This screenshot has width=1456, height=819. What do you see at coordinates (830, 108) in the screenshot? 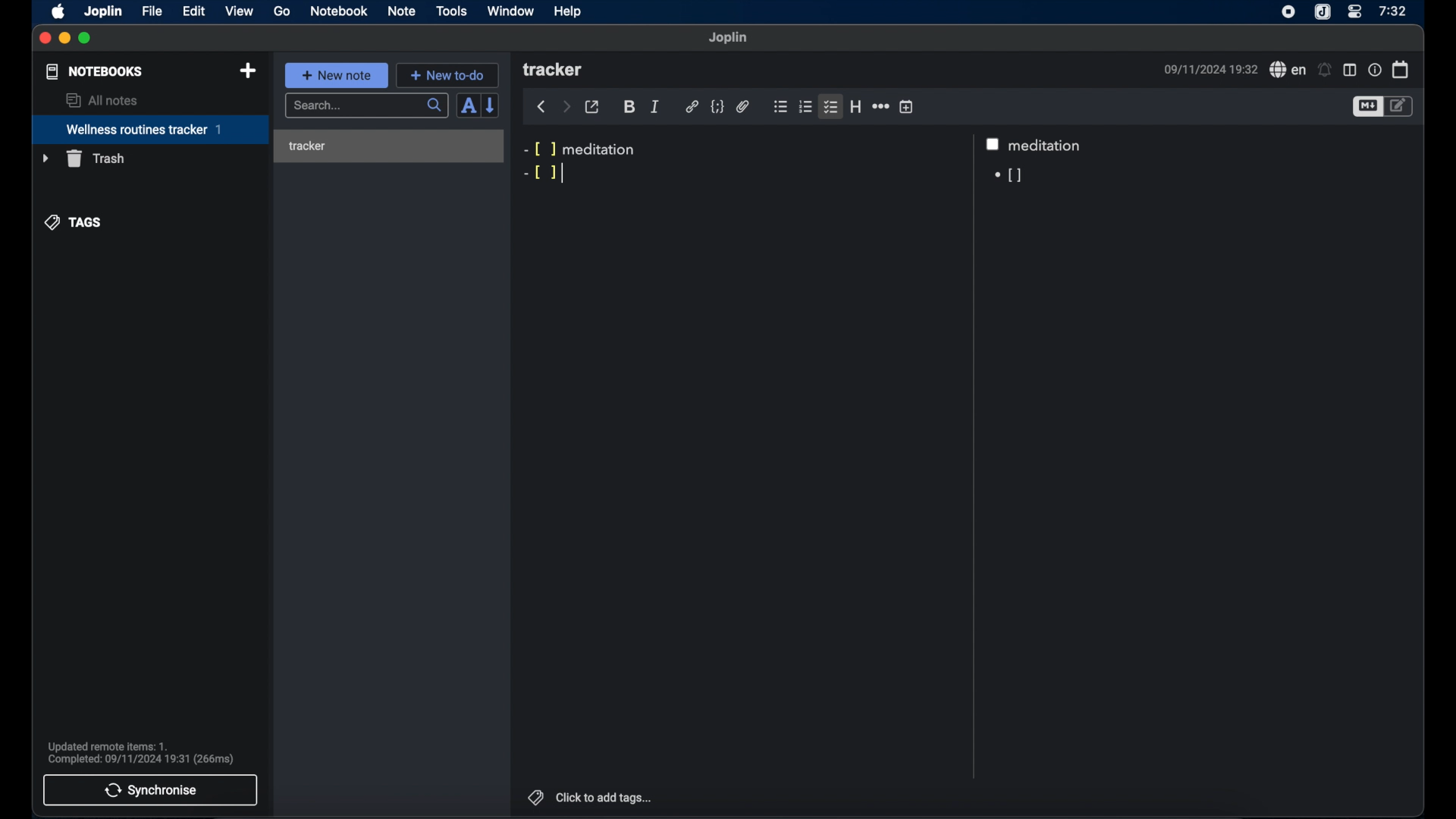
I see `checklist` at bounding box center [830, 108].